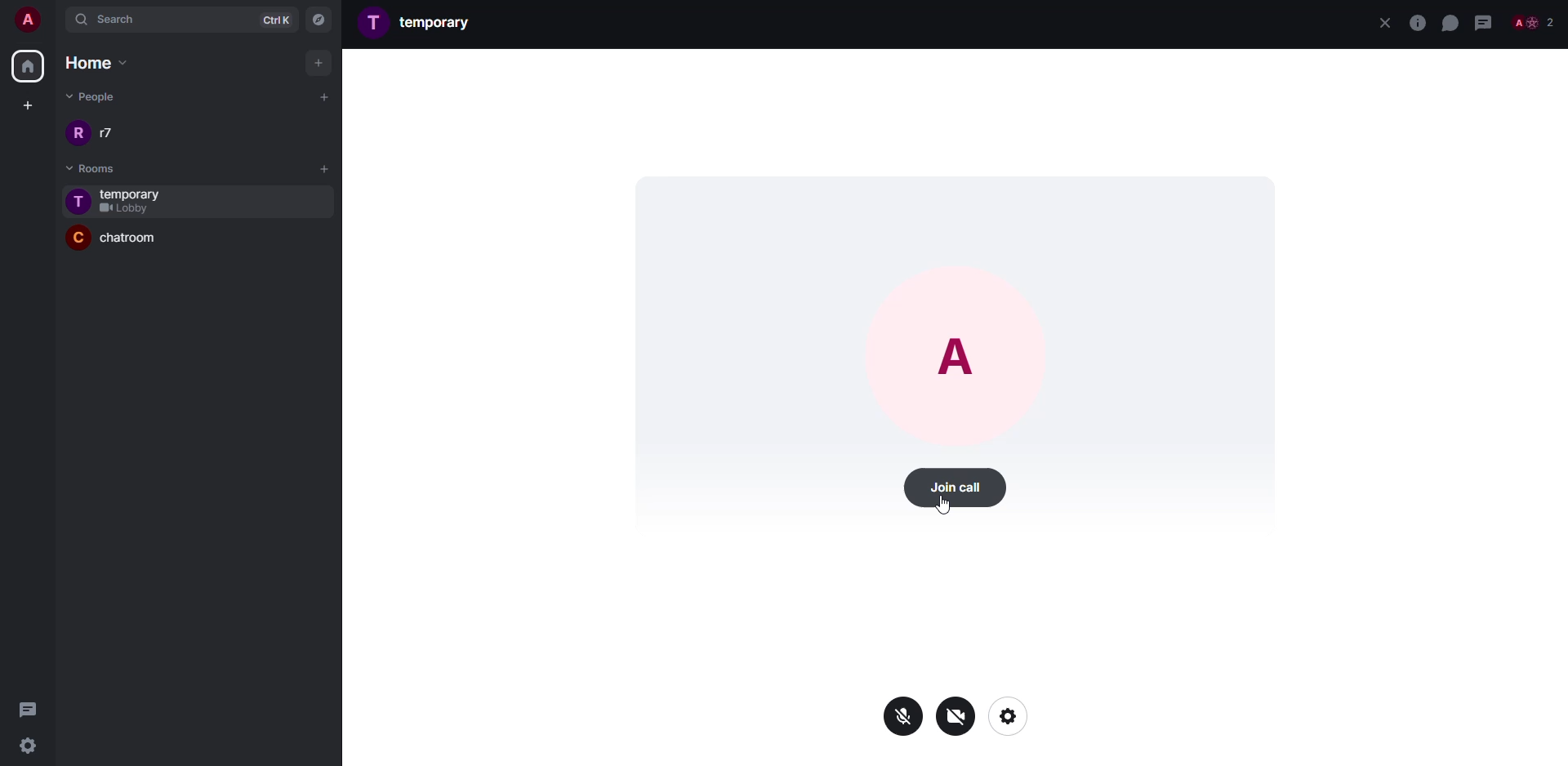 This screenshot has width=1568, height=766. What do you see at coordinates (24, 105) in the screenshot?
I see `create space` at bounding box center [24, 105].